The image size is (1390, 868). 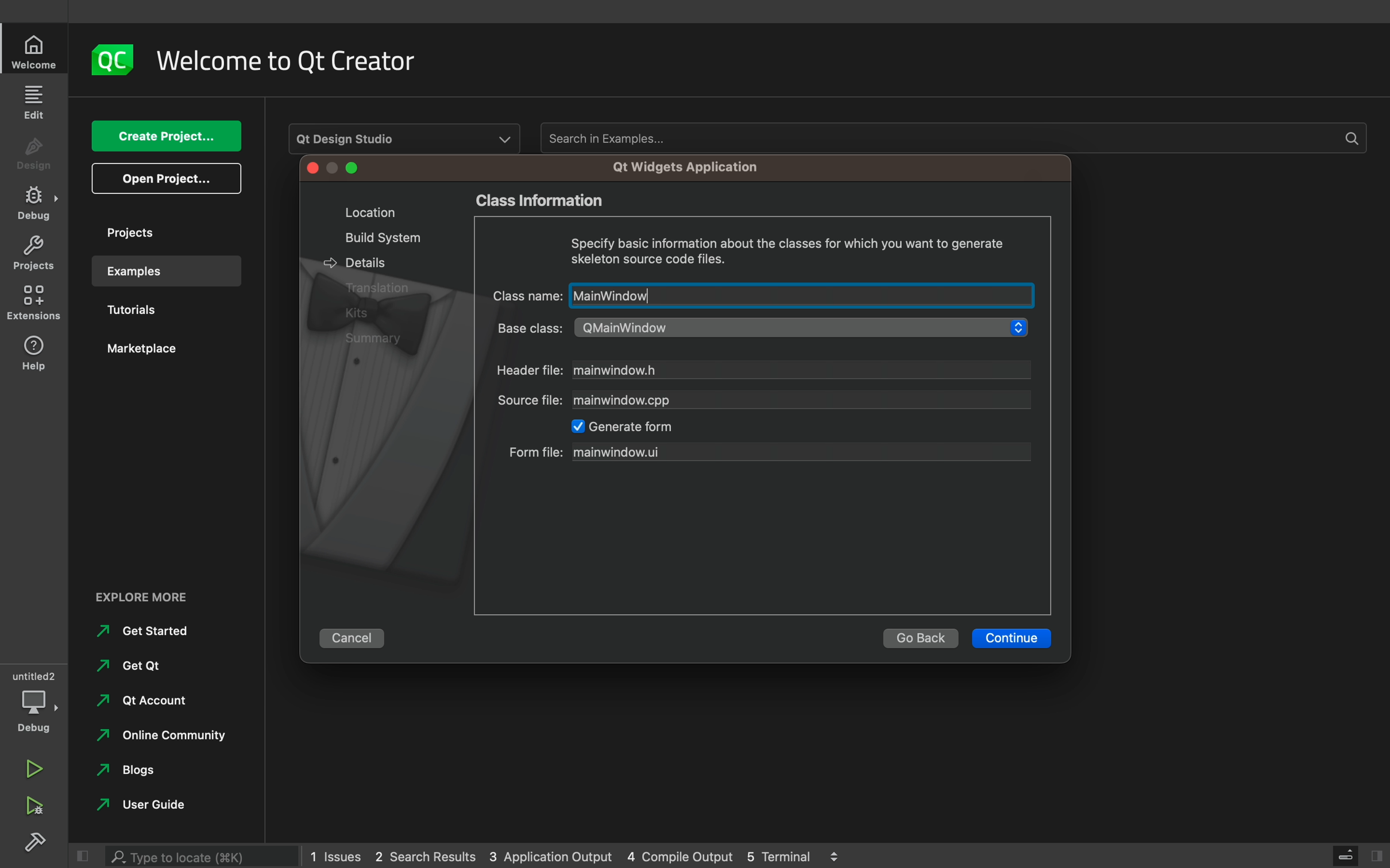 What do you see at coordinates (144, 632) in the screenshot?
I see `get started` at bounding box center [144, 632].